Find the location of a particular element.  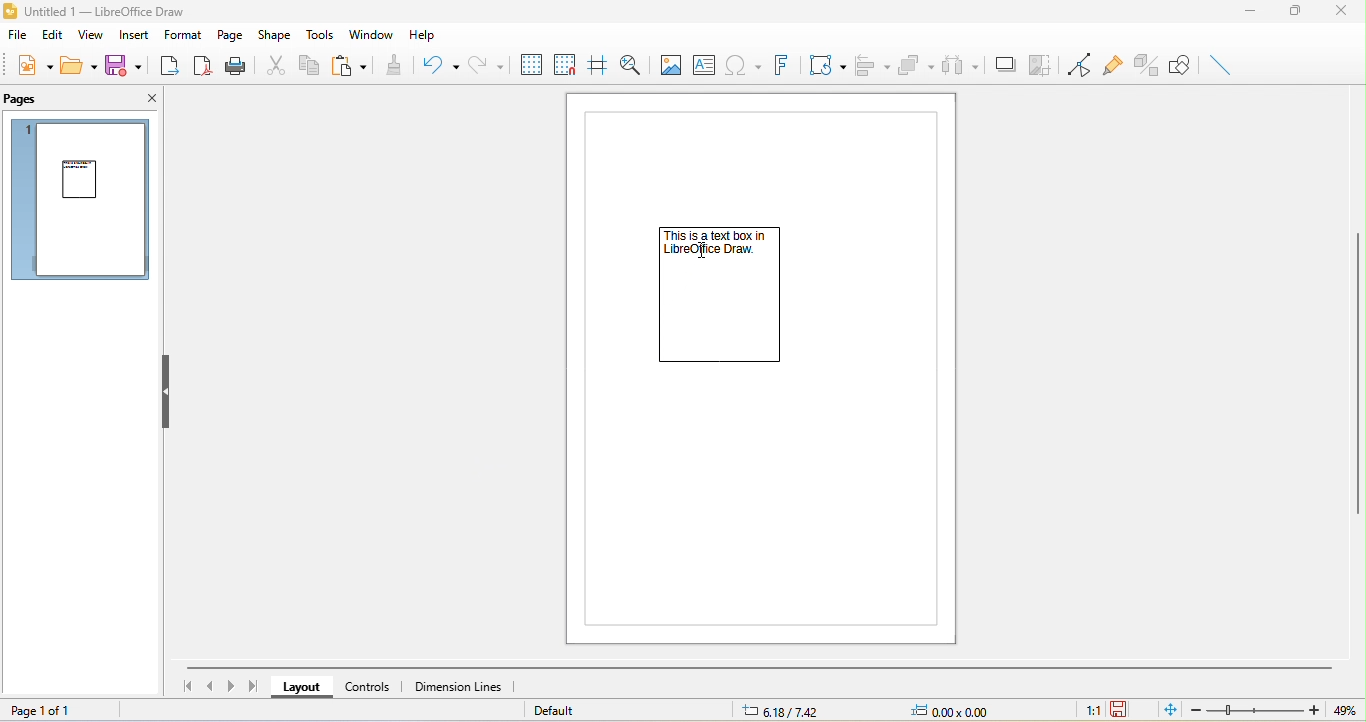

display to grids is located at coordinates (529, 65).